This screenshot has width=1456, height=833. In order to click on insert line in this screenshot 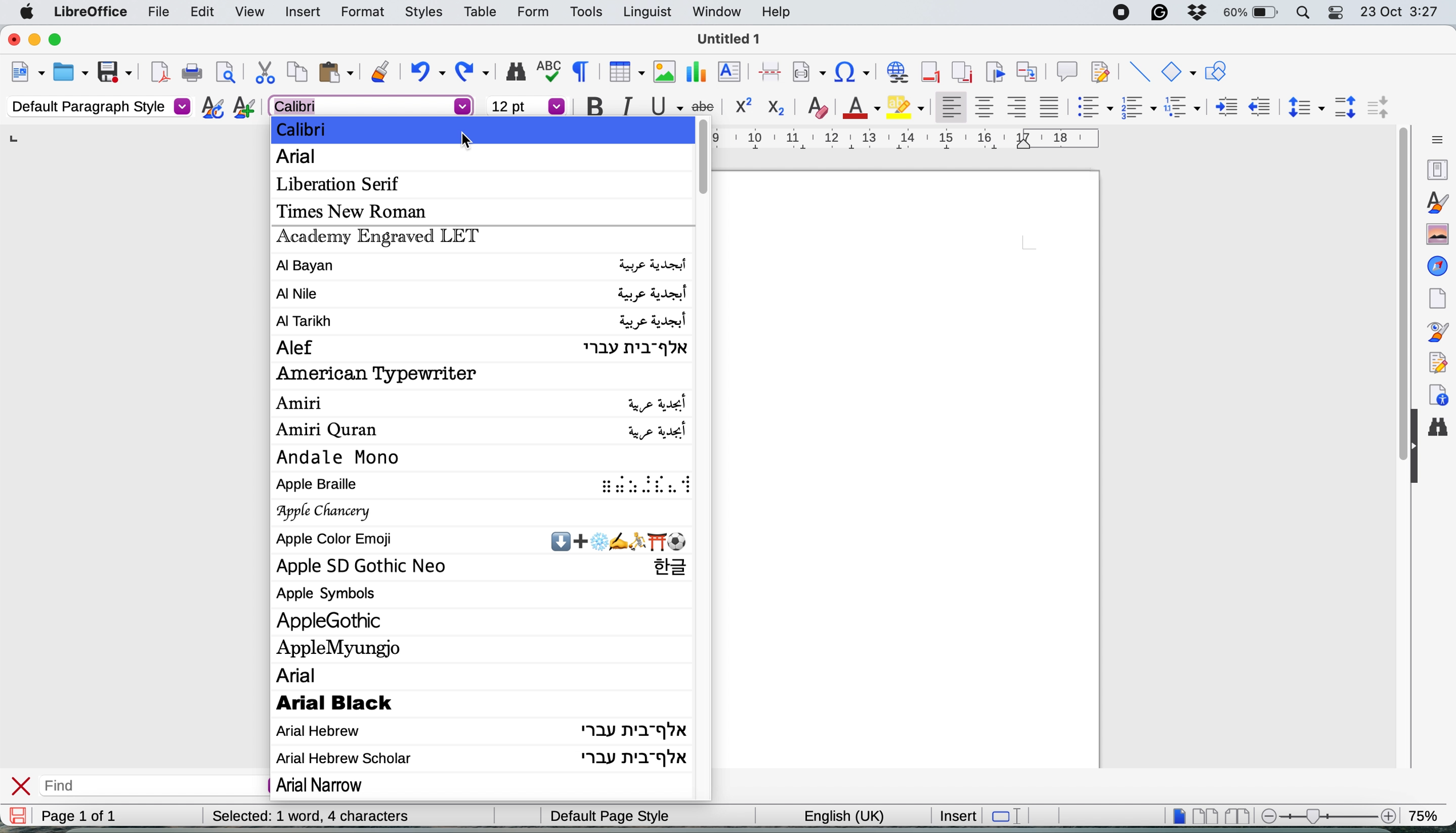, I will do `click(1139, 72)`.